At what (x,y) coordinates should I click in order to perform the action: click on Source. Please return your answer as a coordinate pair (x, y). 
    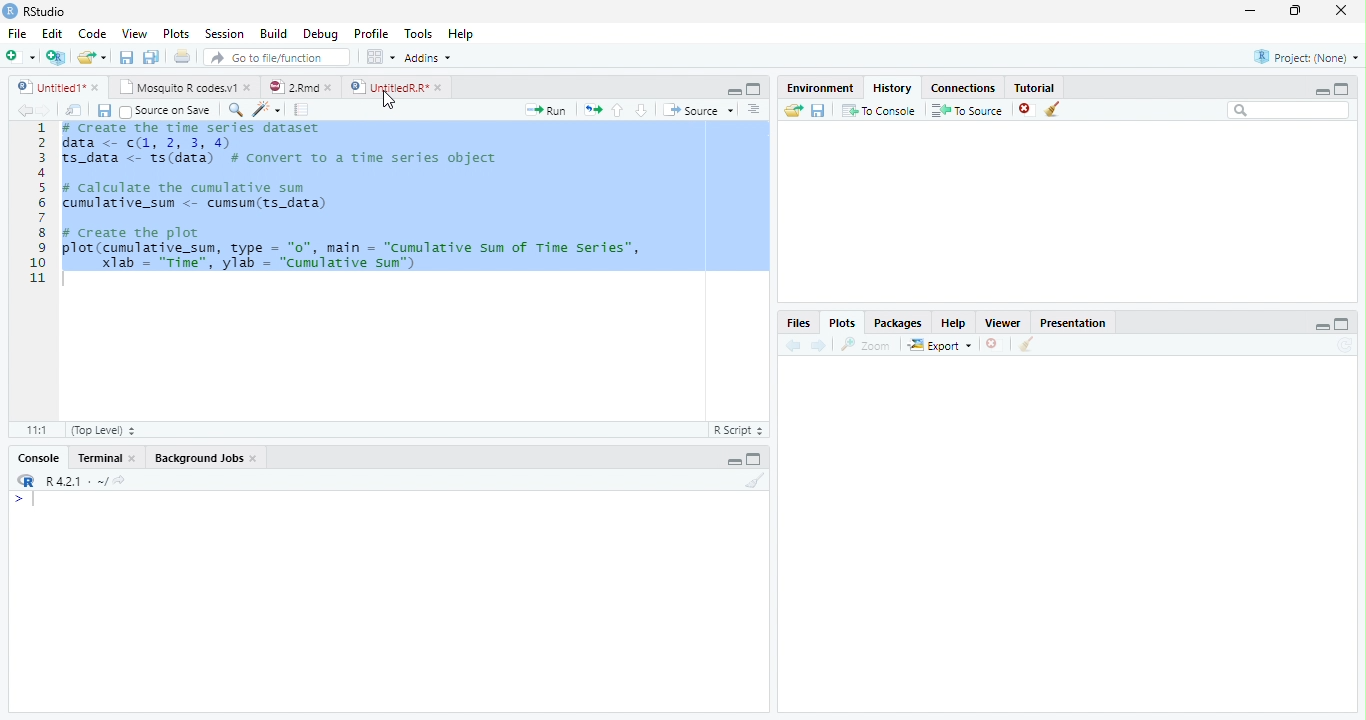
    Looking at the image, I should click on (697, 110).